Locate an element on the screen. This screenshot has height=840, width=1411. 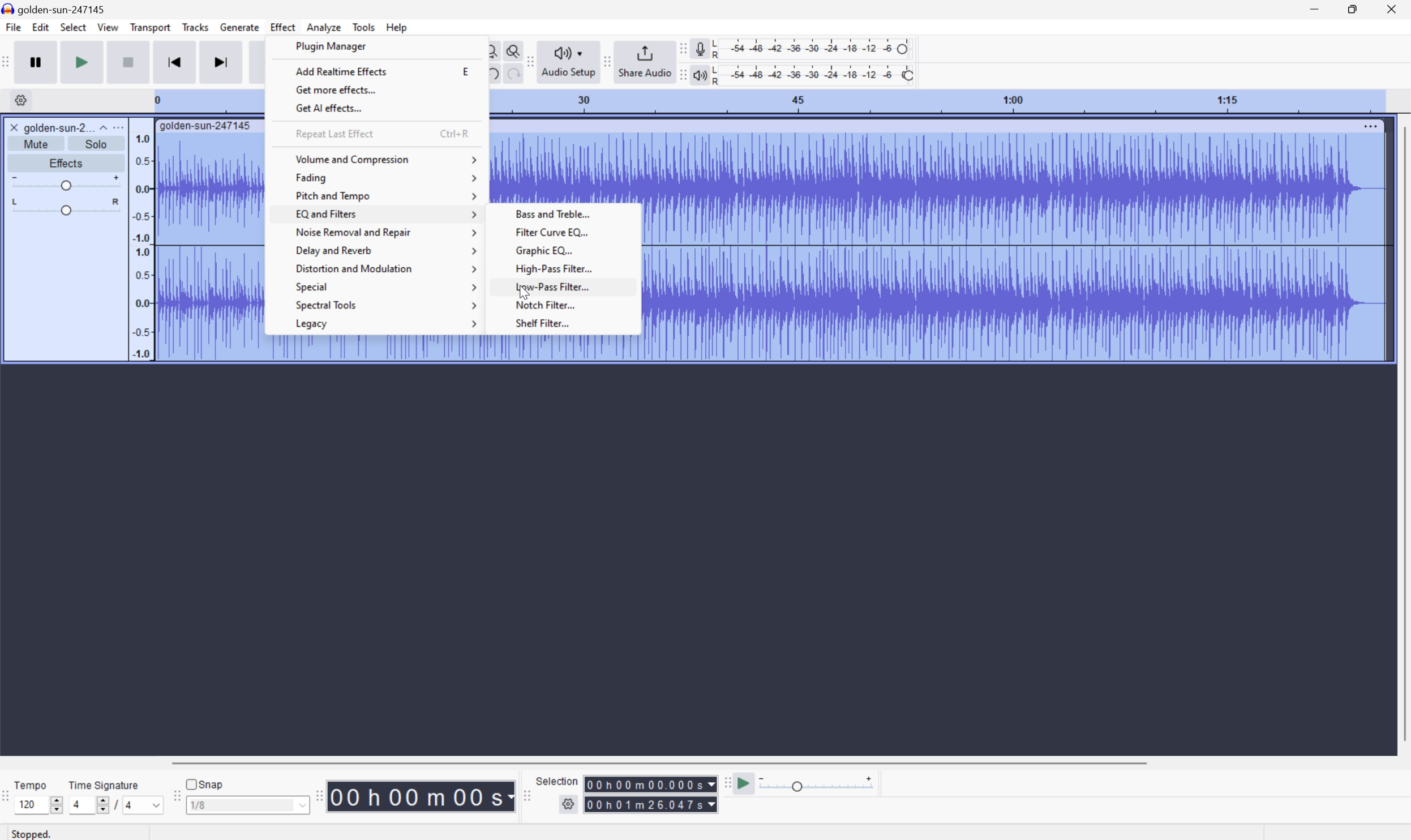
Transport is located at coordinates (151, 28).